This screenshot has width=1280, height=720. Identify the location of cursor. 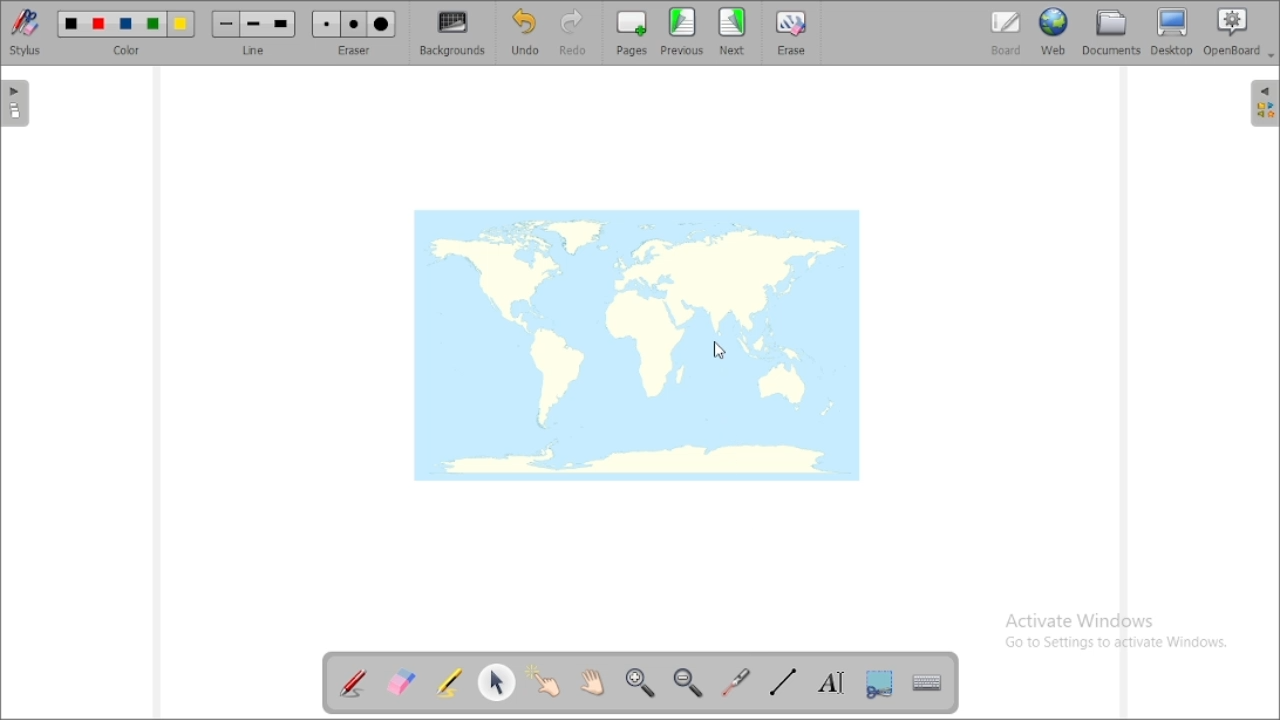
(720, 346).